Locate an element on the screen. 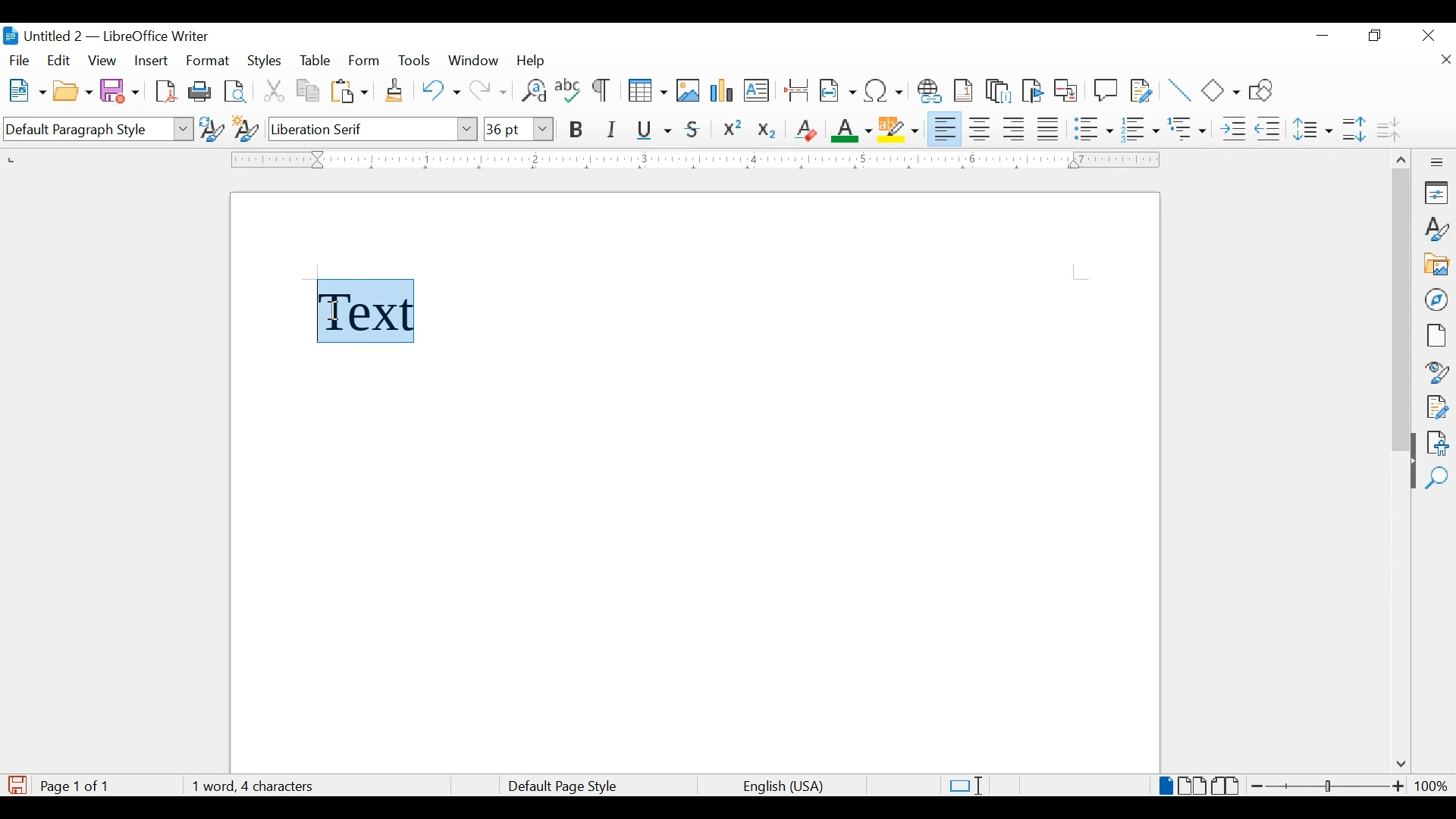 Image resolution: width=1456 pixels, height=819 pixels. single page view is located at coordinates (1166, 786).